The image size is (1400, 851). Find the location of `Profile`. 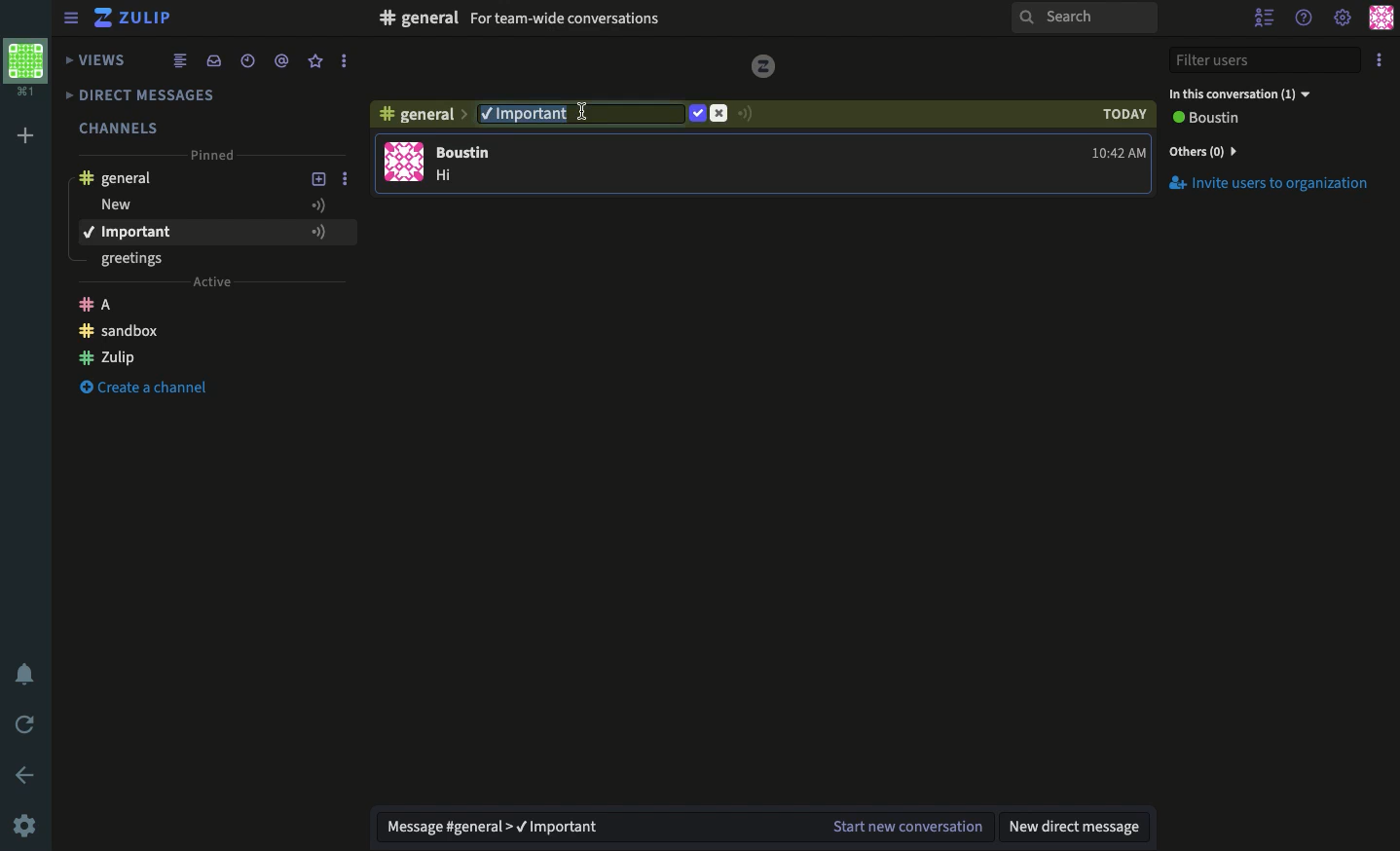

Profile is located at coordinates (1379, 19).